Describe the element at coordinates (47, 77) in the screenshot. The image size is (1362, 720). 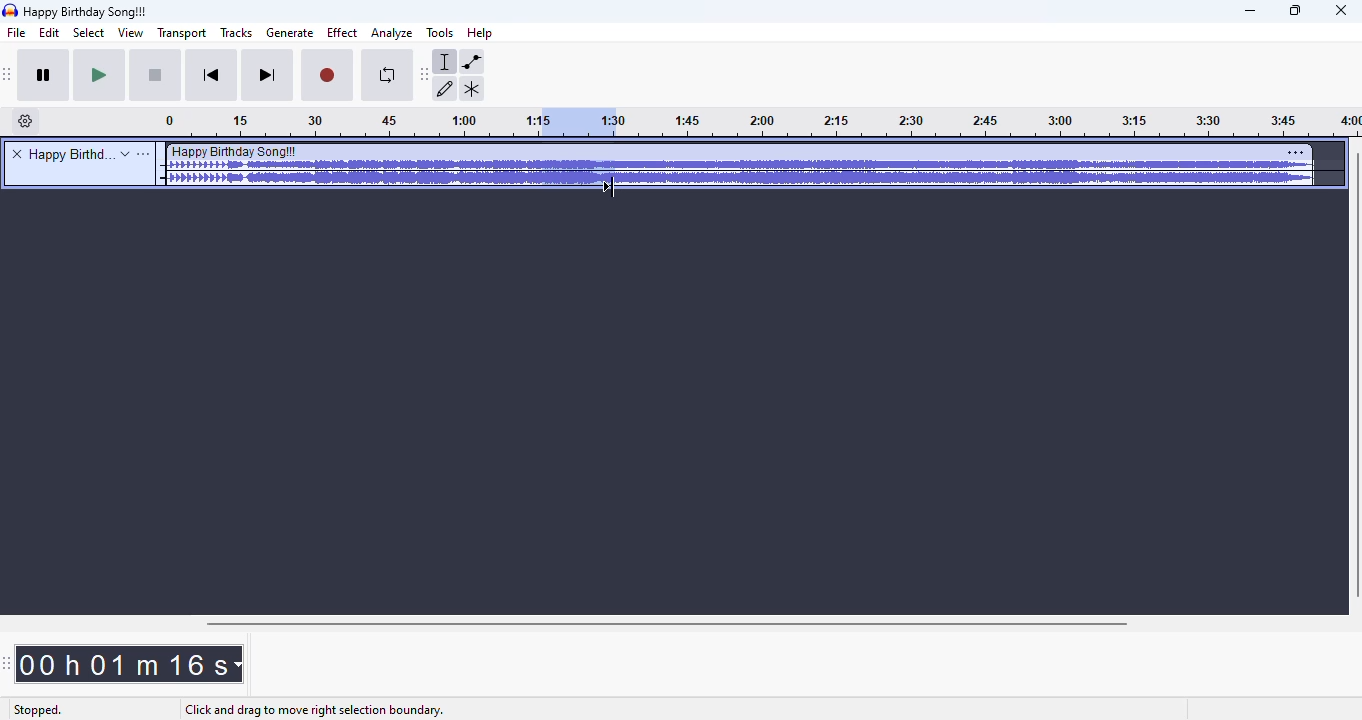
I see `pause` at that location.